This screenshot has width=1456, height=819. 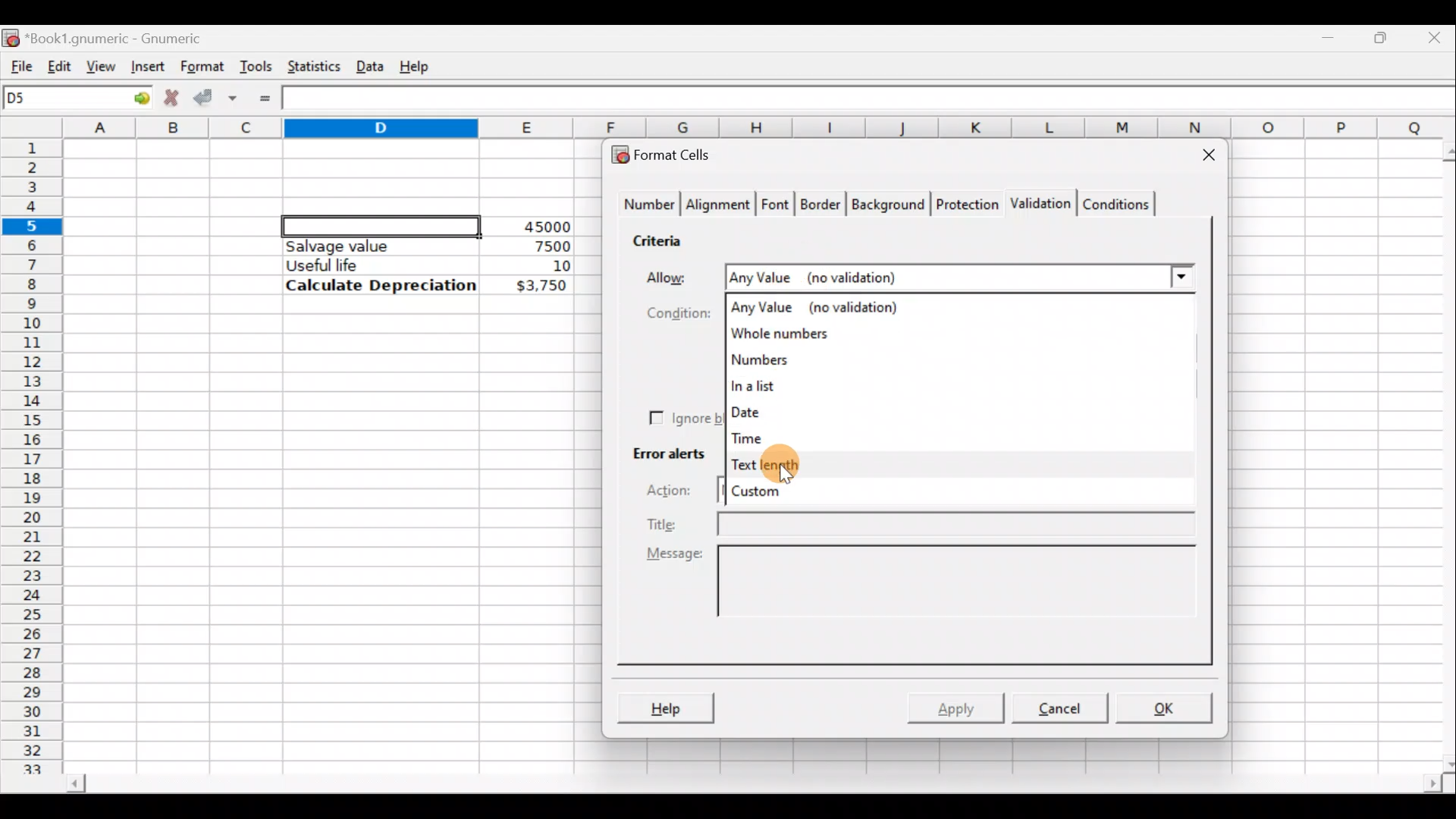 I want to click on Format cells, so click(x=670, y=152).